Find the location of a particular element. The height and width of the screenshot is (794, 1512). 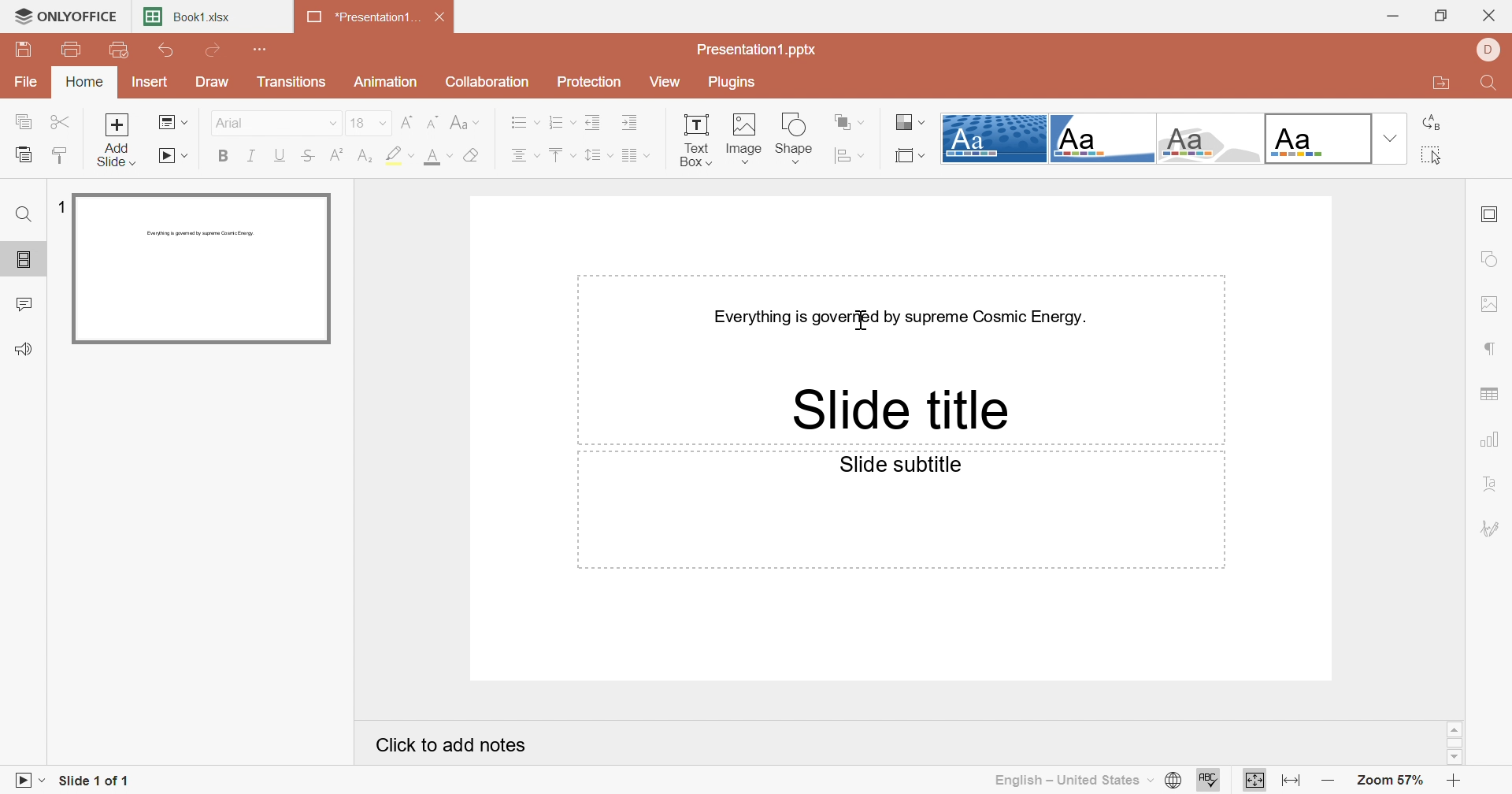

Corner is located at coordinates (641, 155).